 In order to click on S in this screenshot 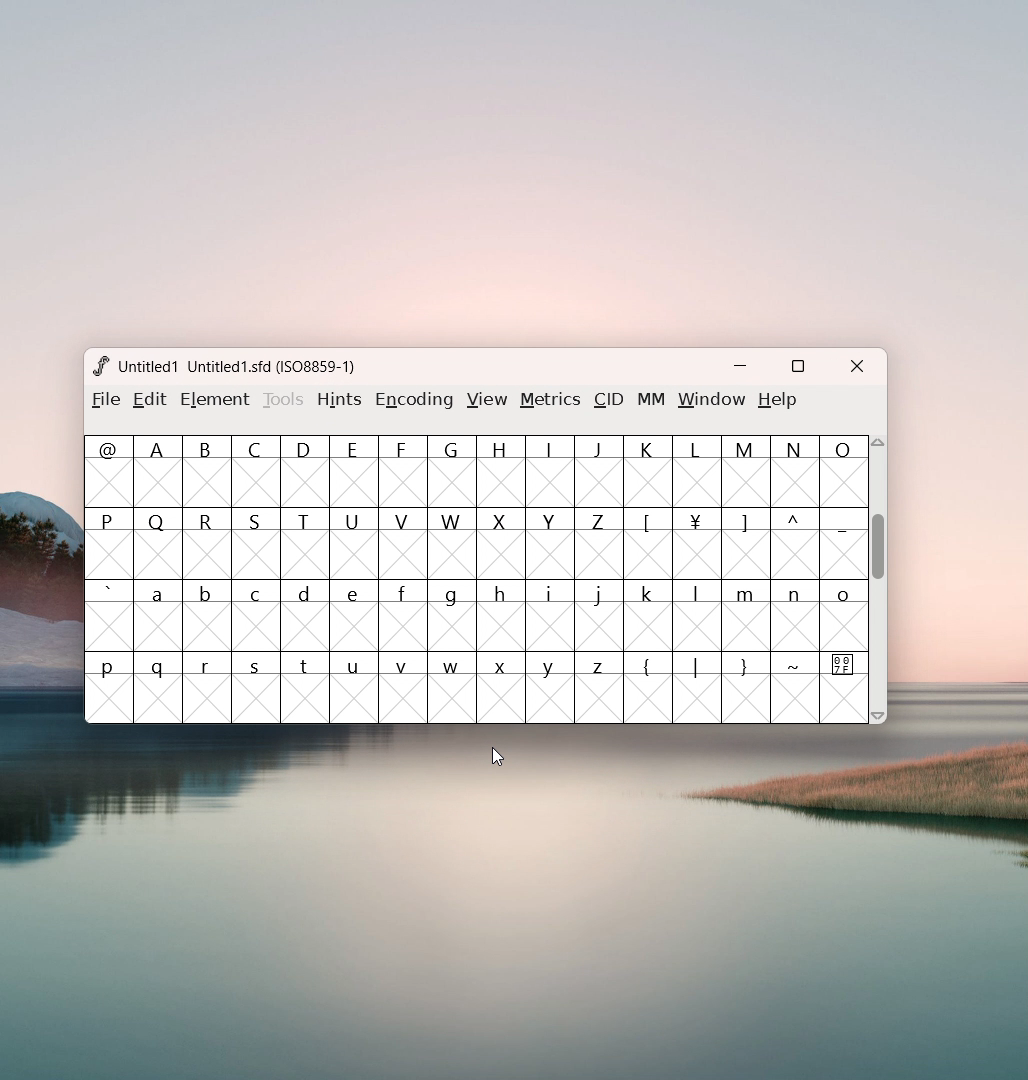, I will do `click(257, 545)`.